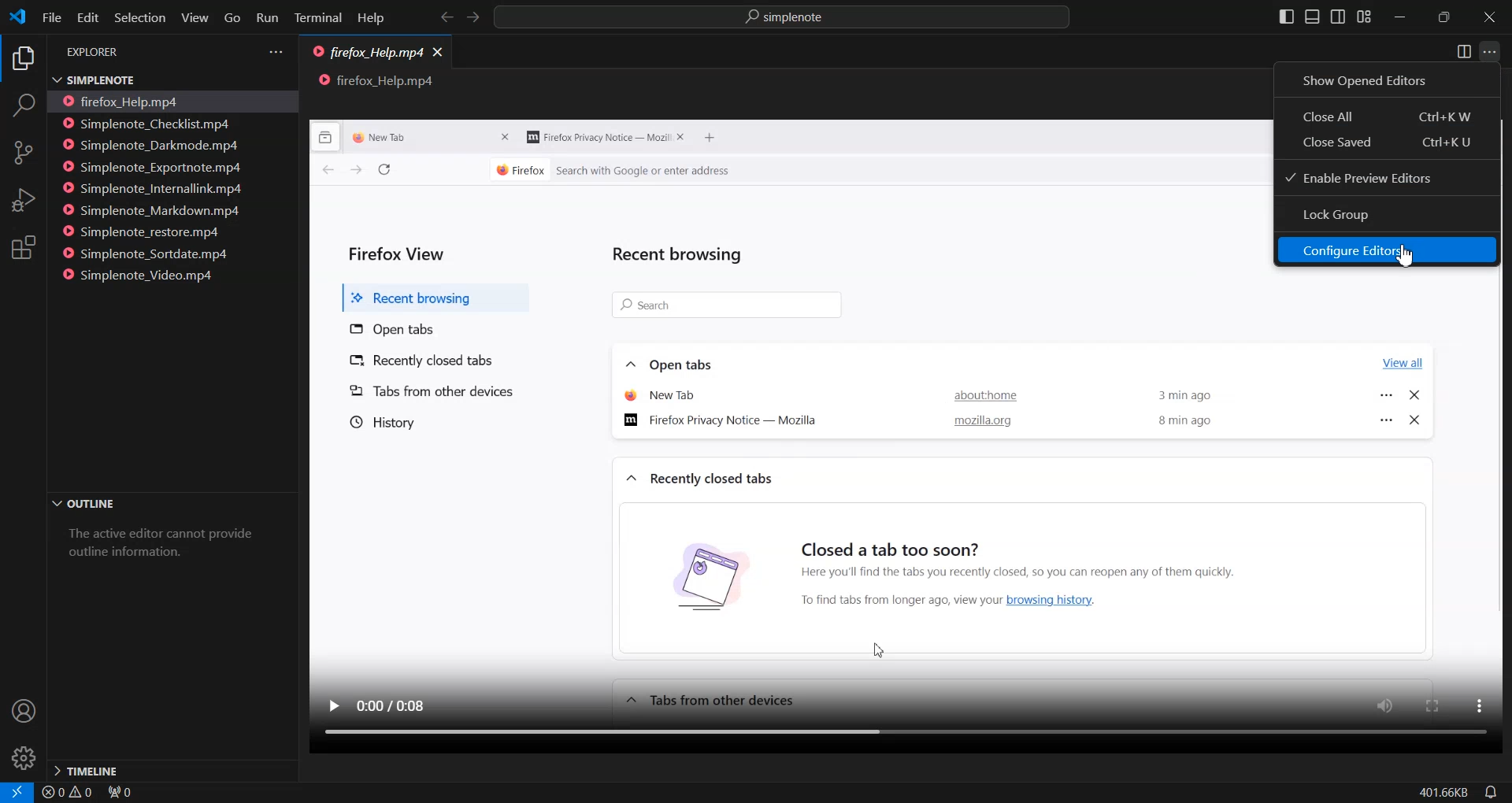 This screenshot has height=803, width=1512. I want to click on Go forward, so click(472, 18).